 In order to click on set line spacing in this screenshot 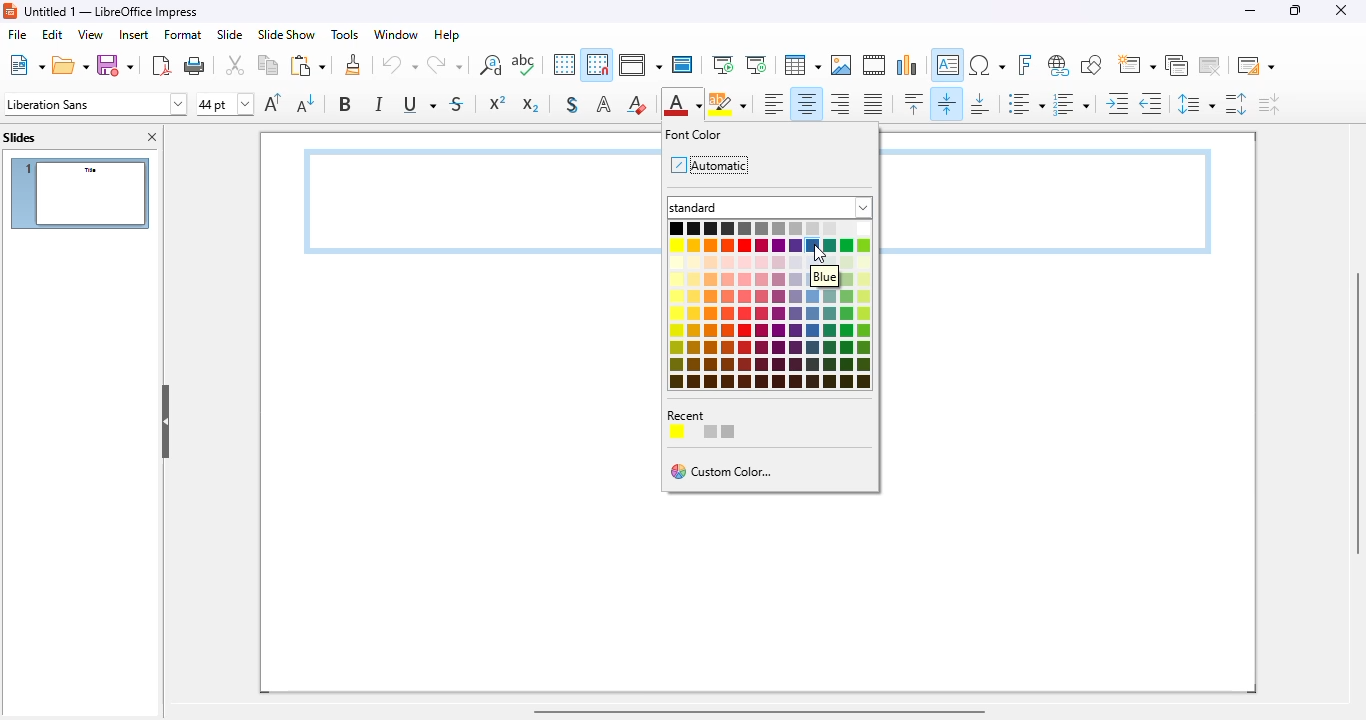, I will do `click(1195, 104)`.